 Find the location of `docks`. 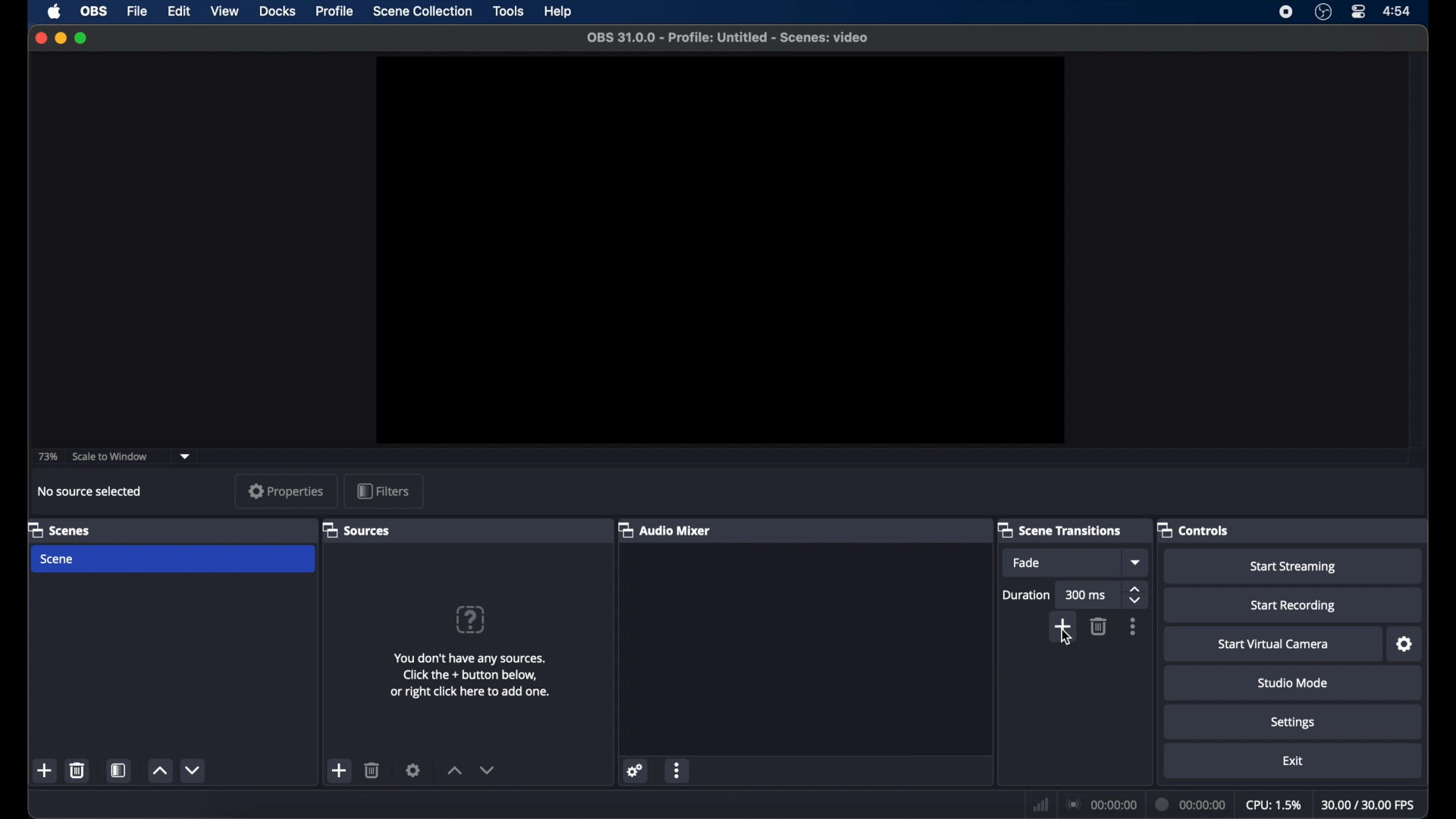

docks is located at coordinates (278, 11).